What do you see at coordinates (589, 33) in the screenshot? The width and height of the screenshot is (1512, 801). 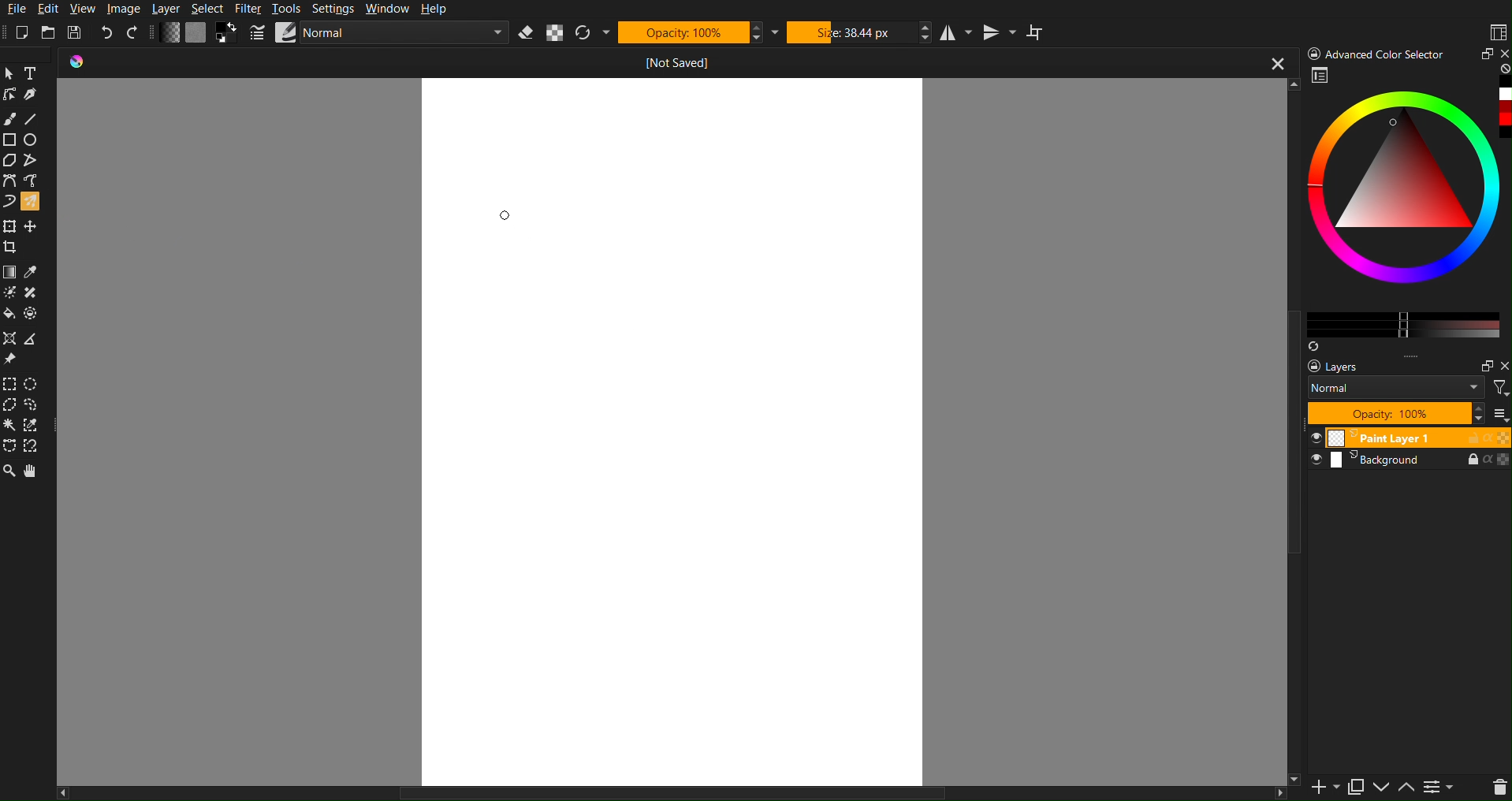 I see `Refresh` at bounding box center [589, 33].